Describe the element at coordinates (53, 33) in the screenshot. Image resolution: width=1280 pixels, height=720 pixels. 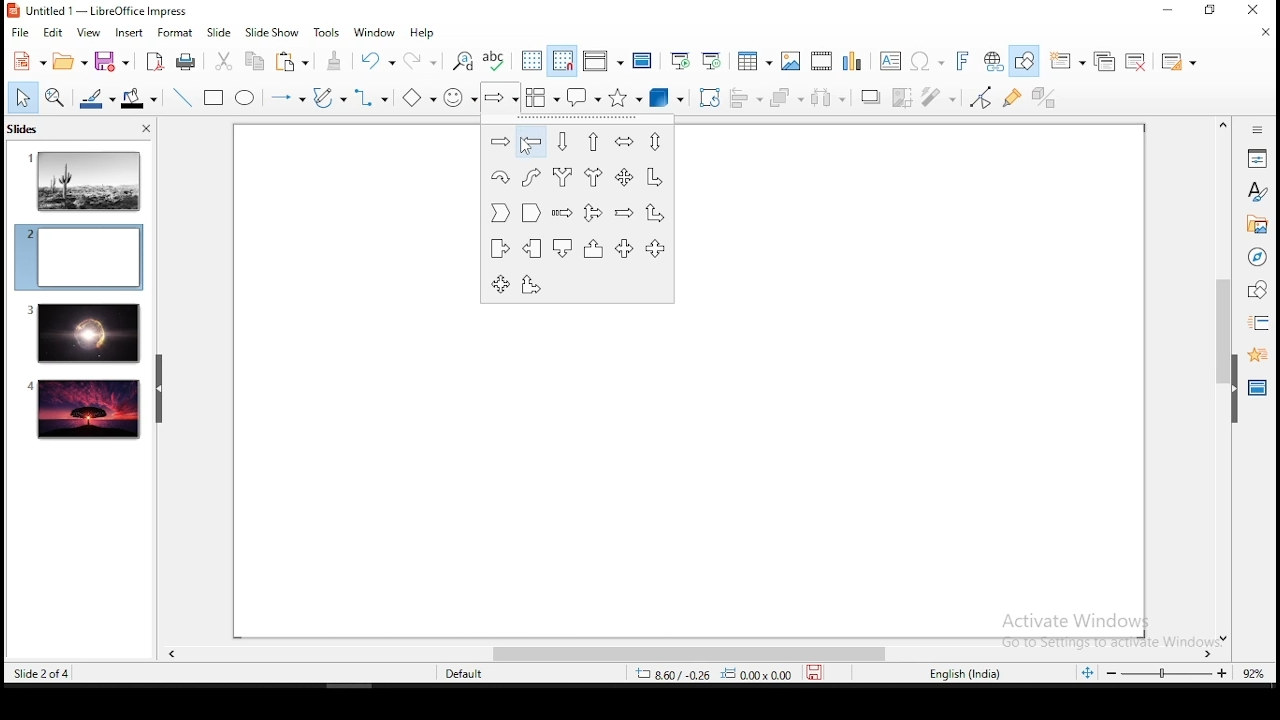
I see `edit` at that location.